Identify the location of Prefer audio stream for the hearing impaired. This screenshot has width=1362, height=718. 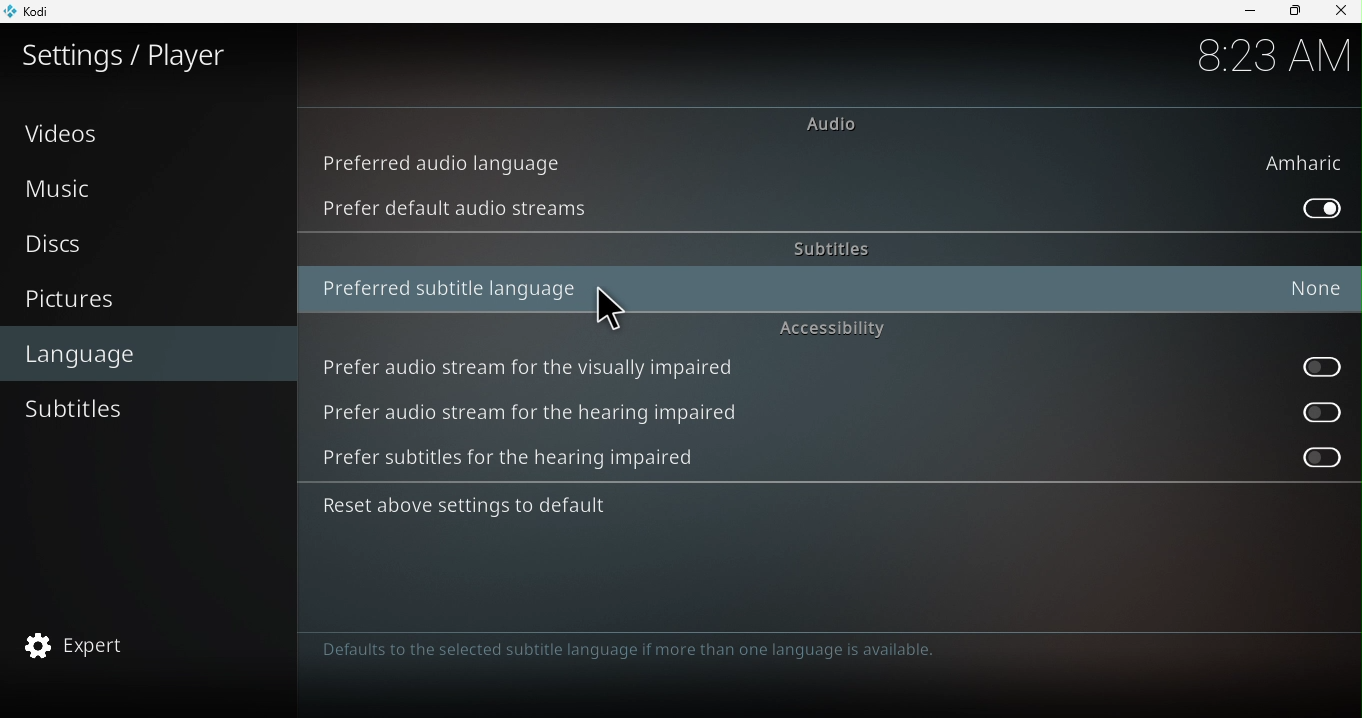
(551, 415).